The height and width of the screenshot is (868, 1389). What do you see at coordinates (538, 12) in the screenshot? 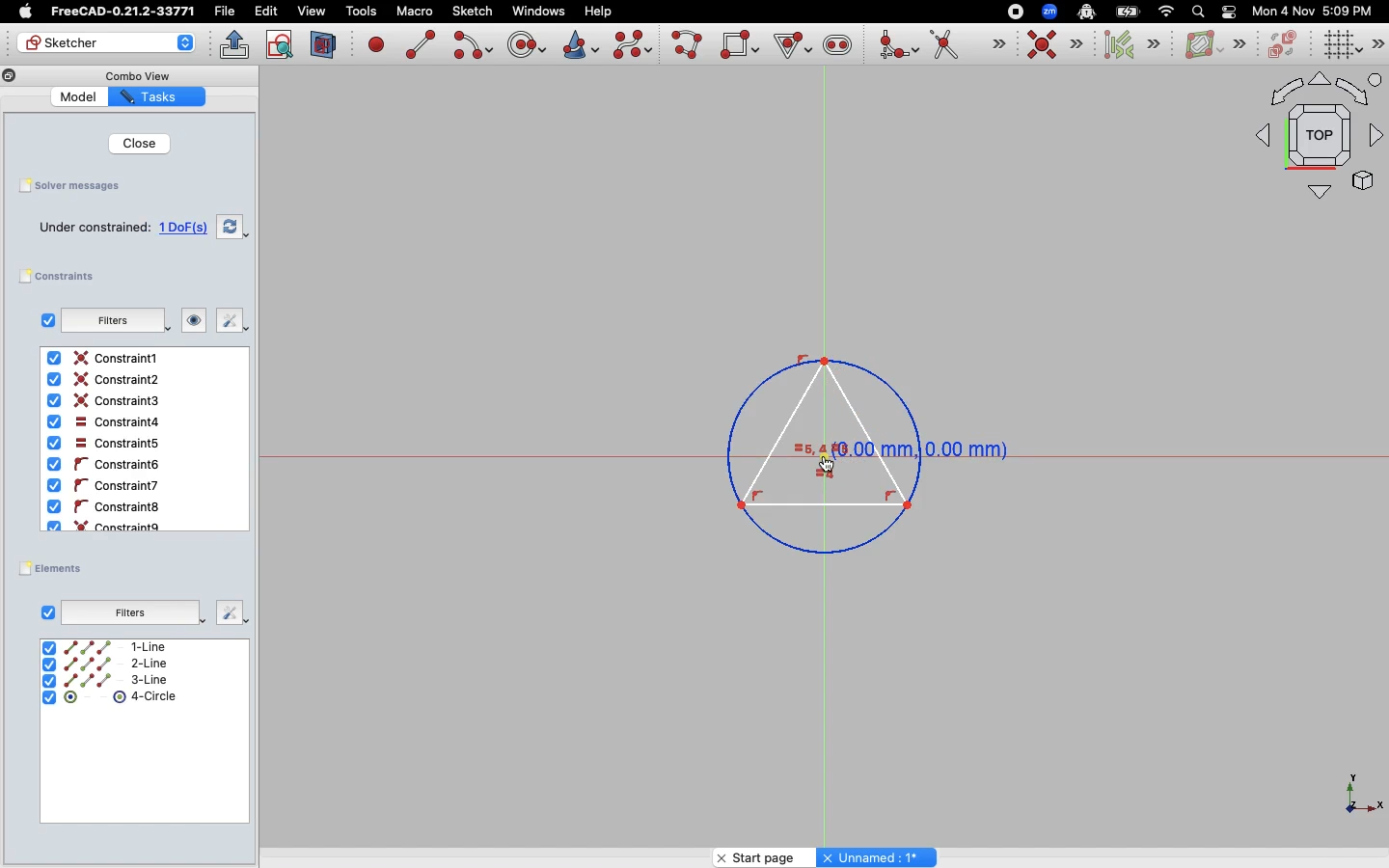
I see `Windows` at bounding box center [538, 12].